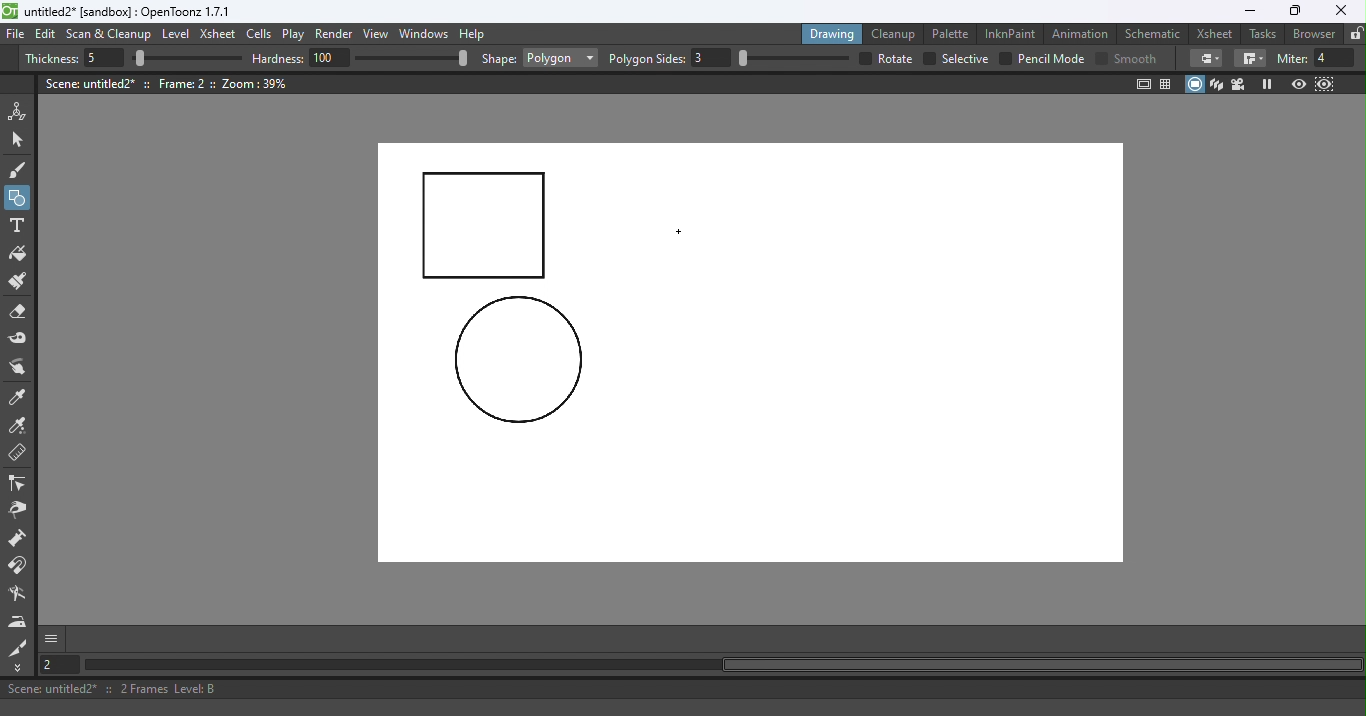 The height and width of the screenshot is (716, 1366). What do you see at coordinates (20, 621) in the screenshot?
I see `Iron tool` at bounding box center [20, 621].